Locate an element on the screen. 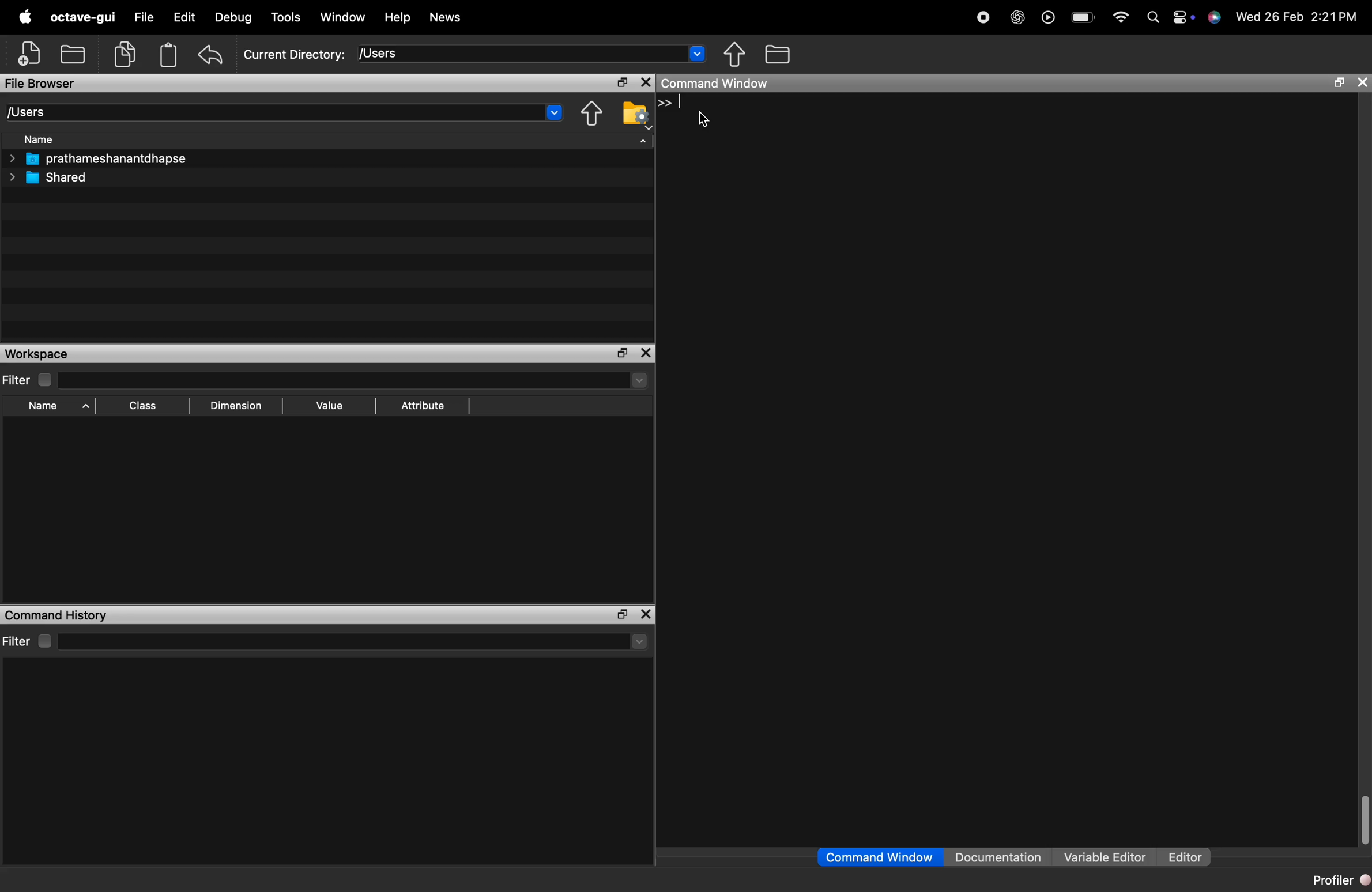 The image size is (1372, 892). Workspace is located at coordinates (40, 352).